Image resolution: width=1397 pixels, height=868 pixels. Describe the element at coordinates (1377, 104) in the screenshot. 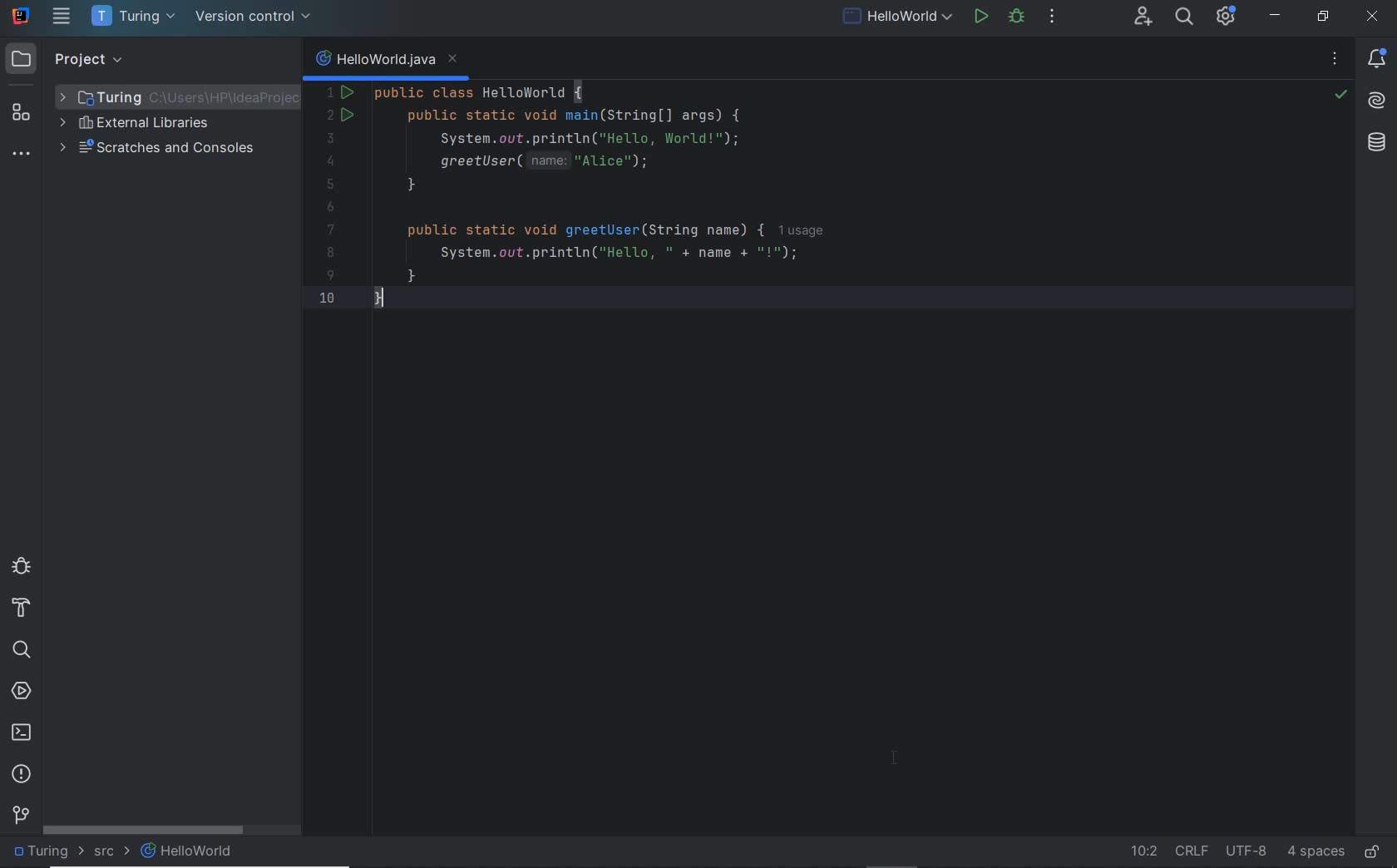

I see `AI Assistant` at that location.